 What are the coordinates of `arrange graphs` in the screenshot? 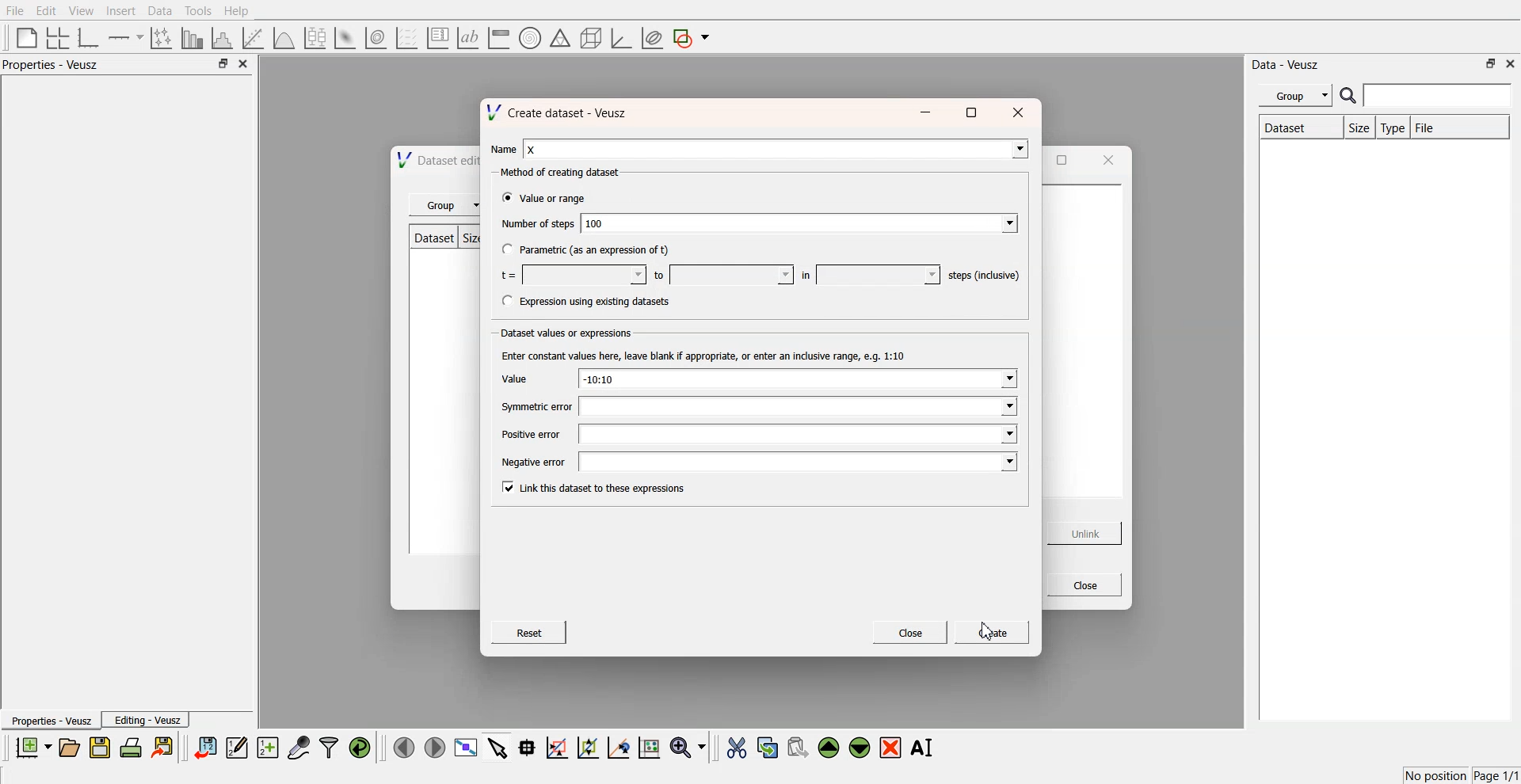 It's located at (55, 37).